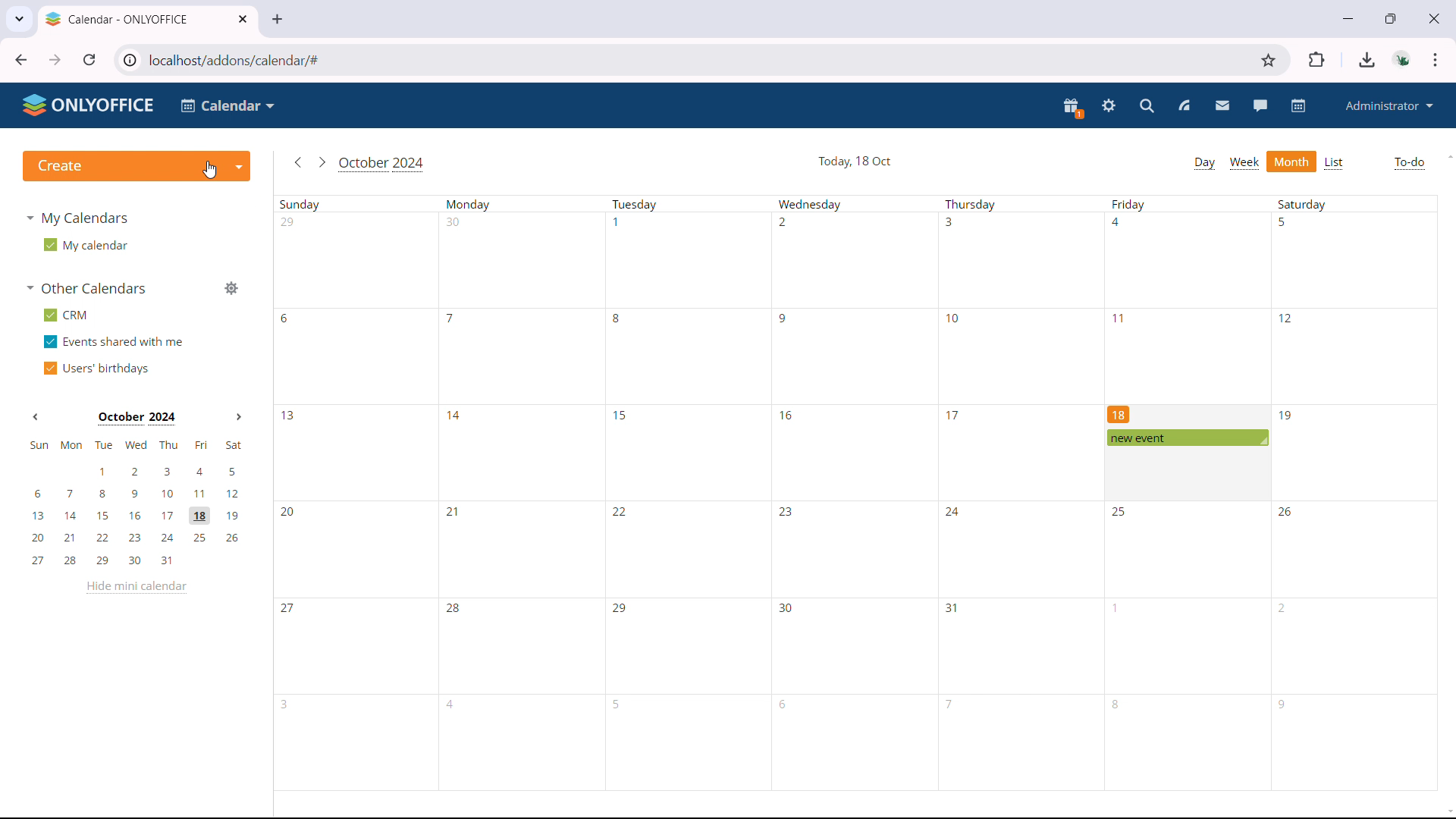 The image size is (1456, 819). Describe the element at coordinates (1447, 813) in the screenshot. I see `scroll down` at that location.